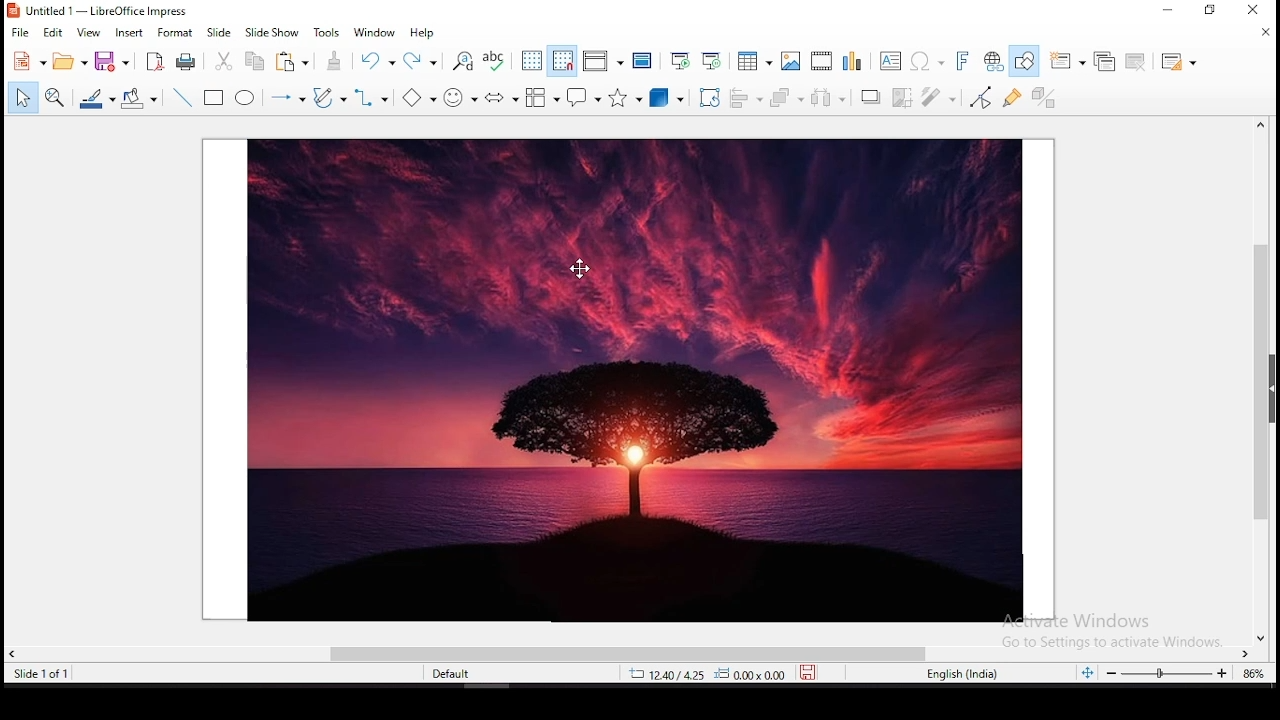 The width and height of the screenshot is (1280, 720). Describe the element at coordinates (962, 674) in the screenshot. I see `english (india)` at that location.